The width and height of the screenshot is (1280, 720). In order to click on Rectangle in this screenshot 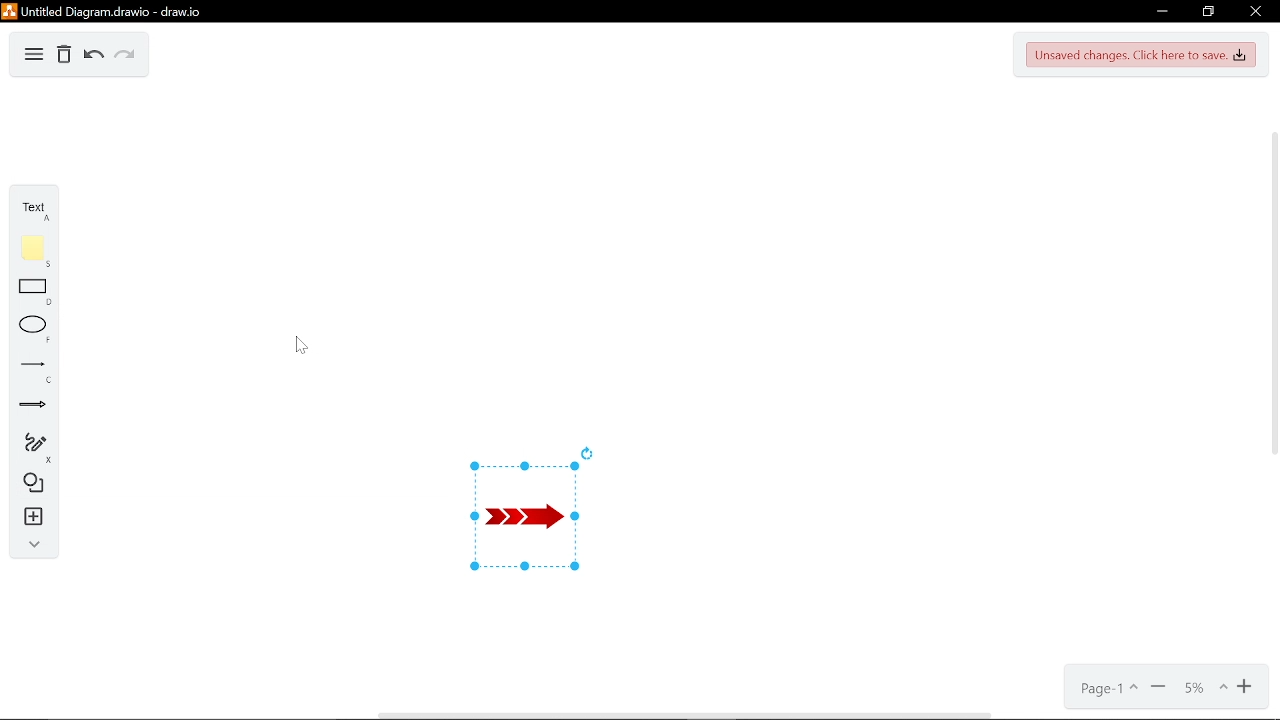, I will do `click(27, 291)`.